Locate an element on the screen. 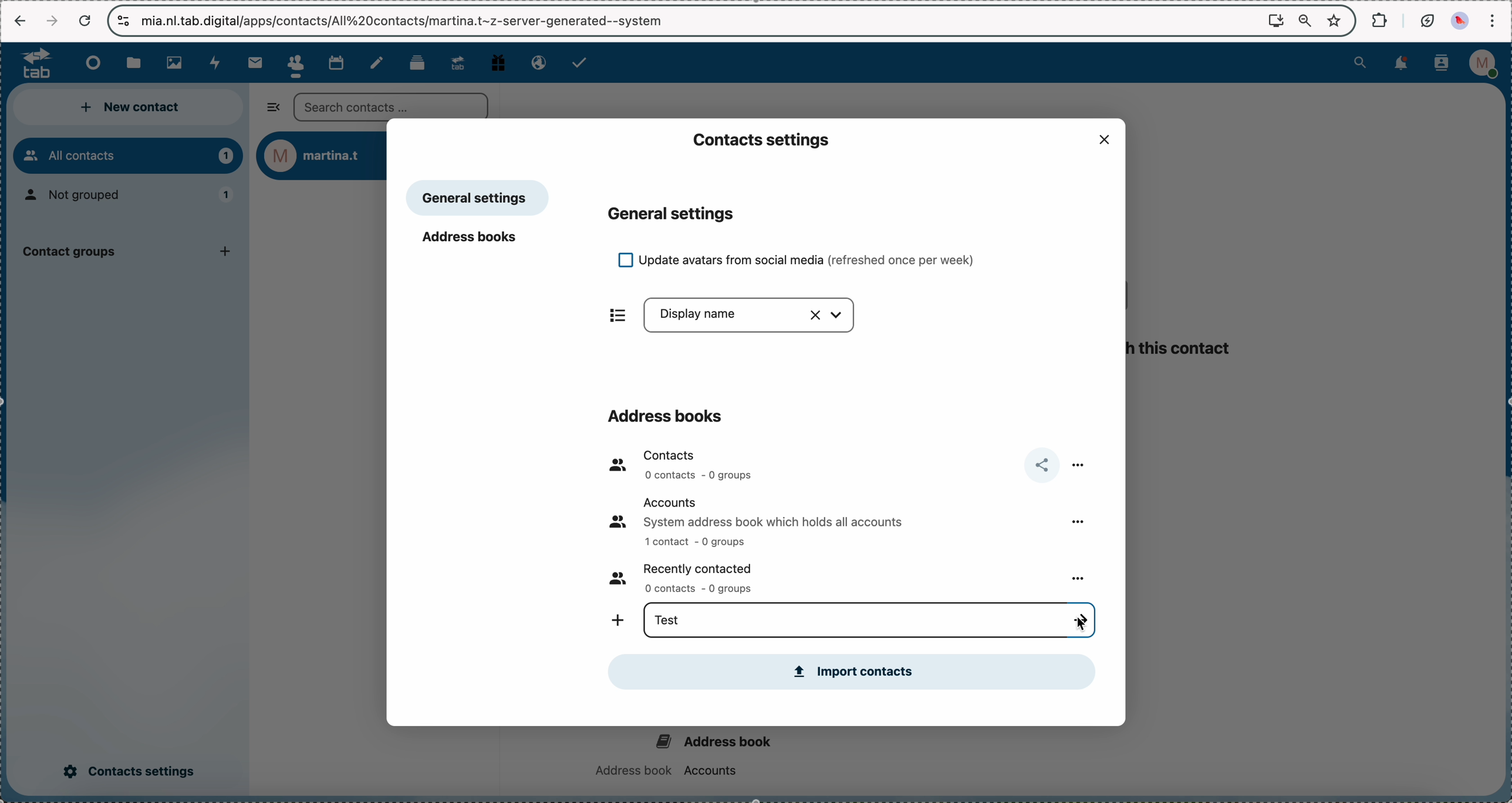 This screenshot has width=1512, height=803. search is located at coordinates (1361, 63).